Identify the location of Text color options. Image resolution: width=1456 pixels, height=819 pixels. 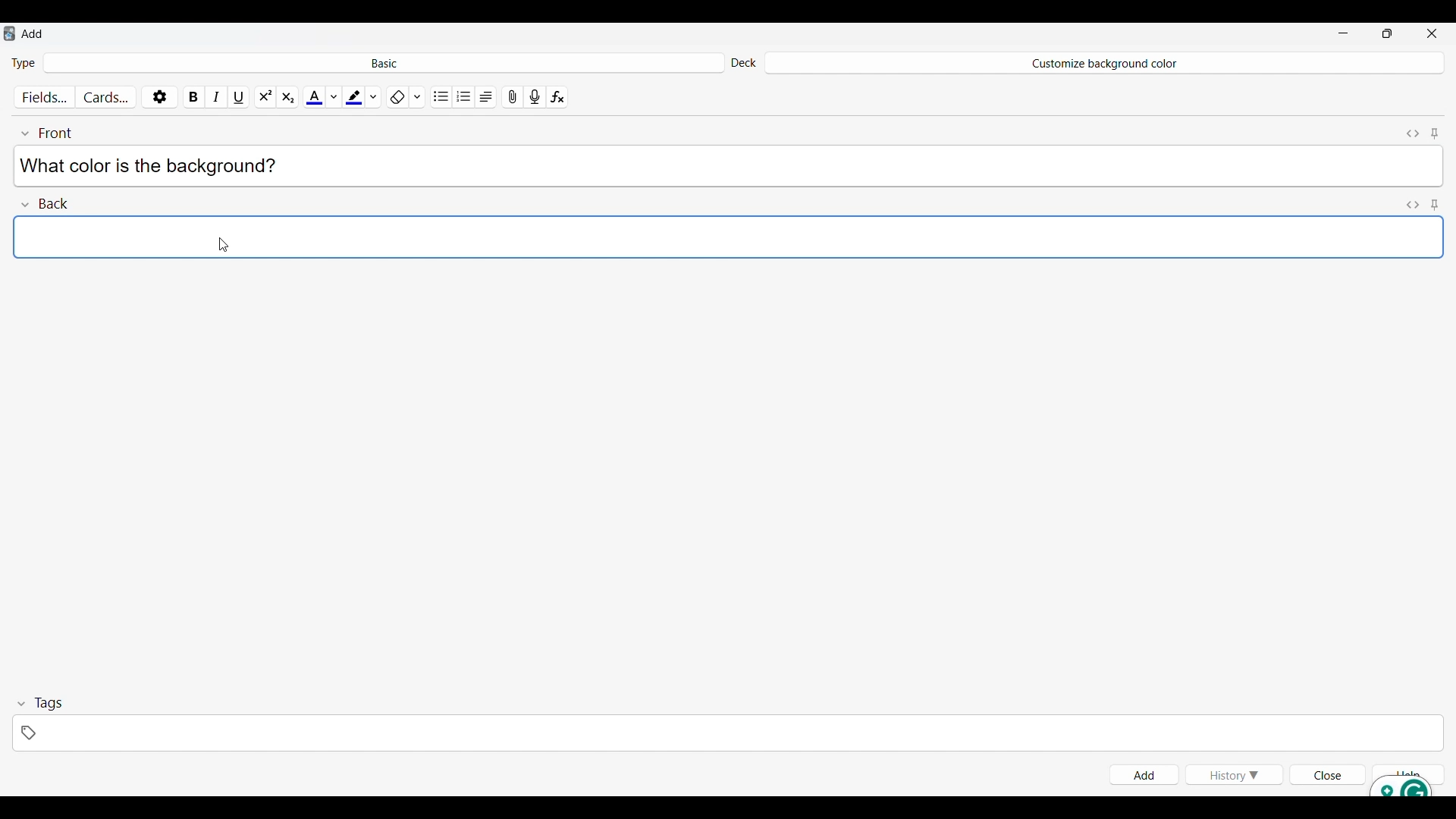
(333, 95).